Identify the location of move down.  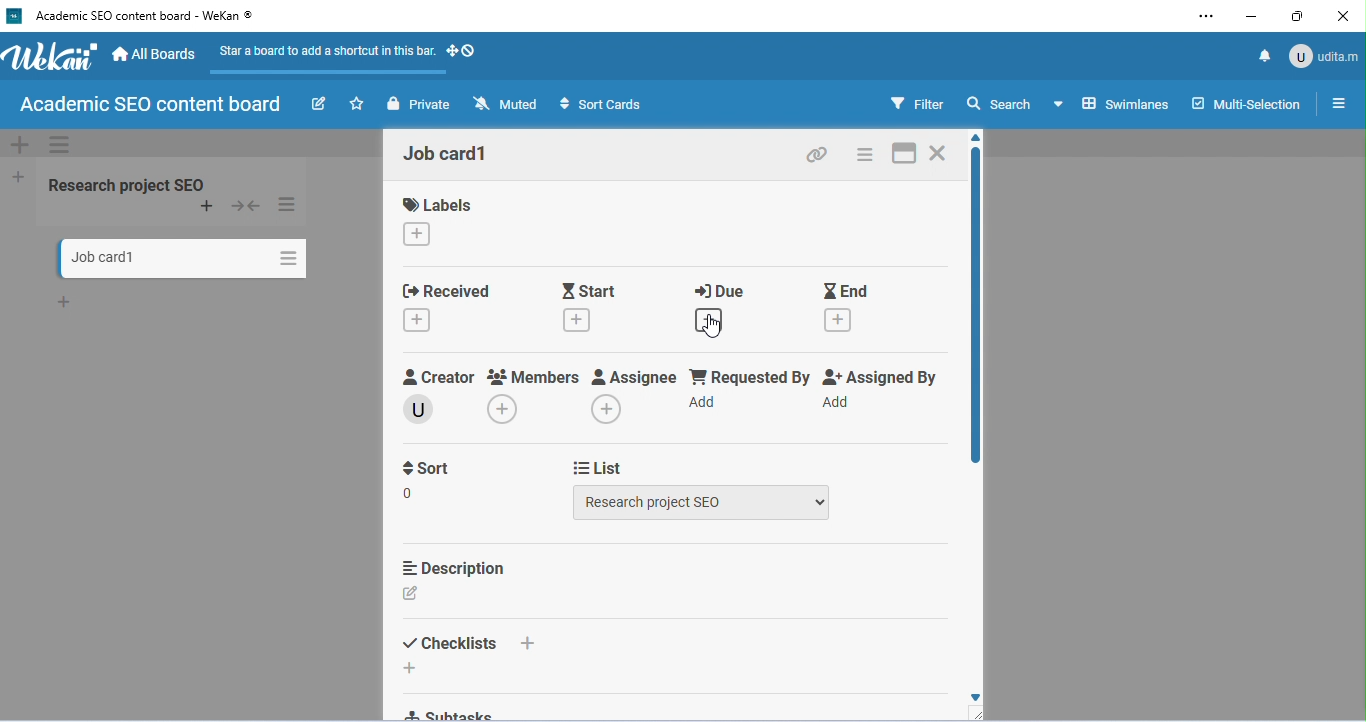
(975, 699).